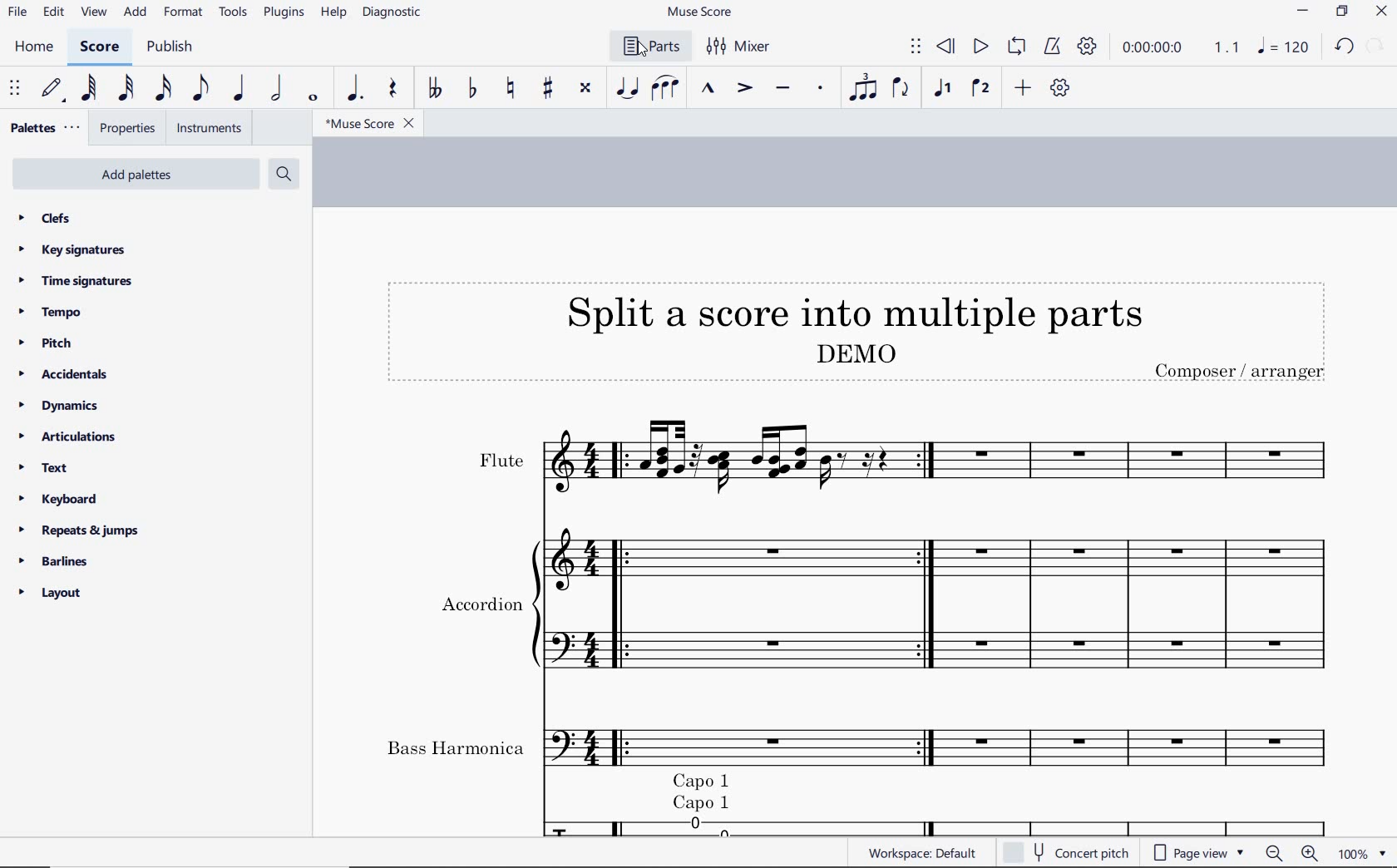 The image size is (1397, 868). What do you see at coordinates (1292, 854) in the screenshot?
I see `zoom out or zoom in` at bounding box center [1292, 854].